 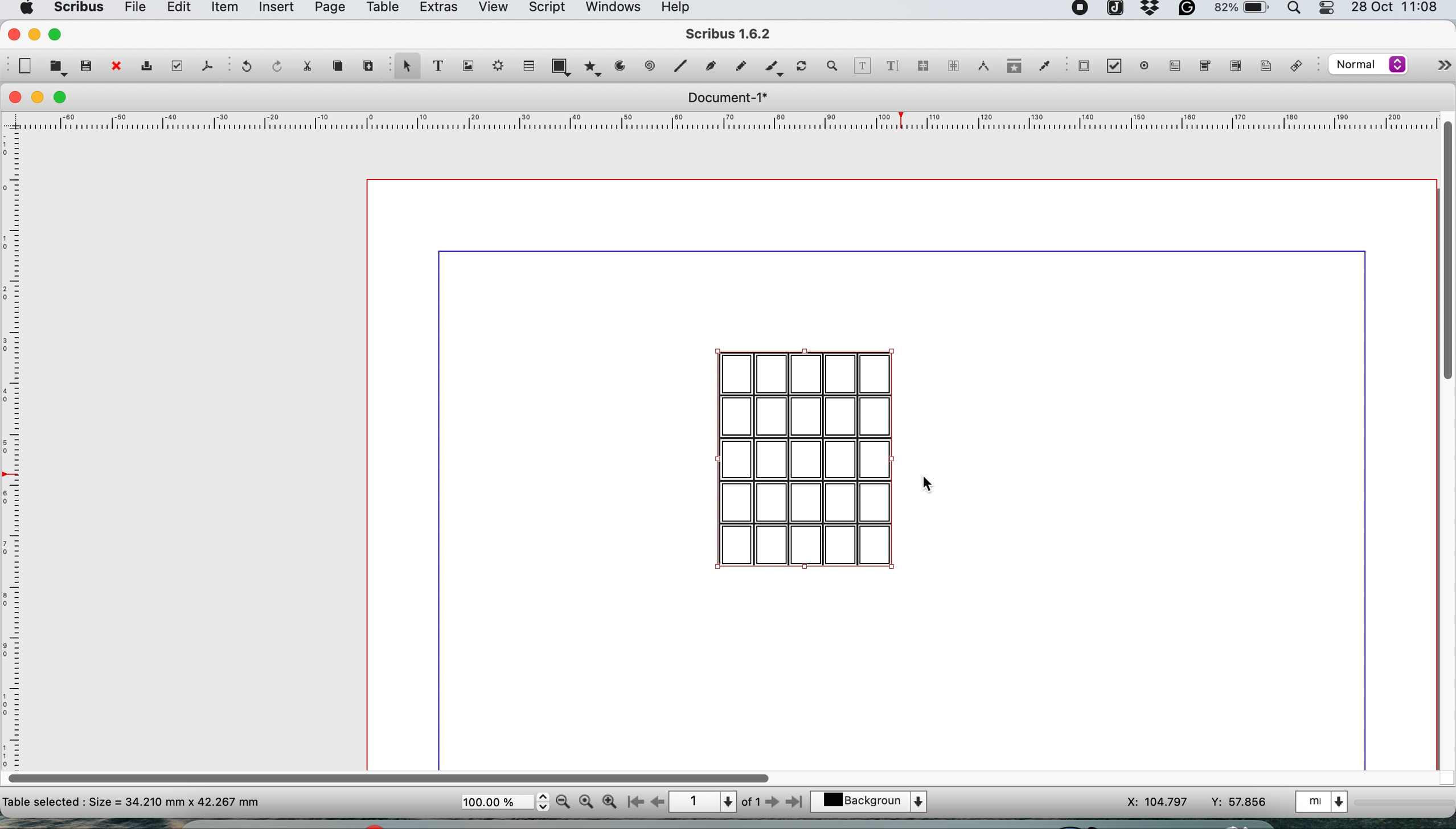 I want to click on date and time, so click(x=1397, y=9).